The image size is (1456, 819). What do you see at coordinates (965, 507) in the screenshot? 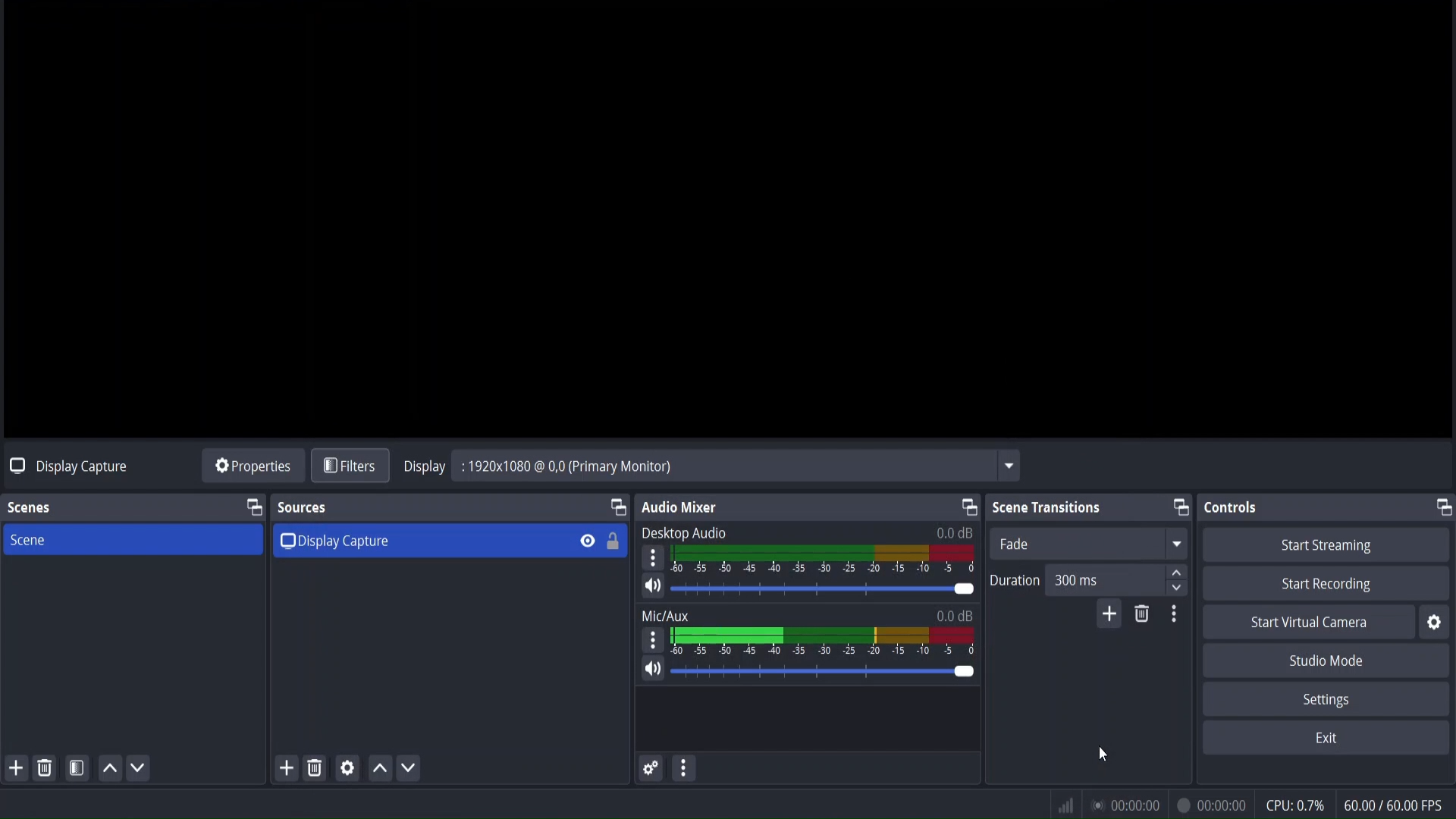
I see `change tab layout` at bounding box center [965, 507].